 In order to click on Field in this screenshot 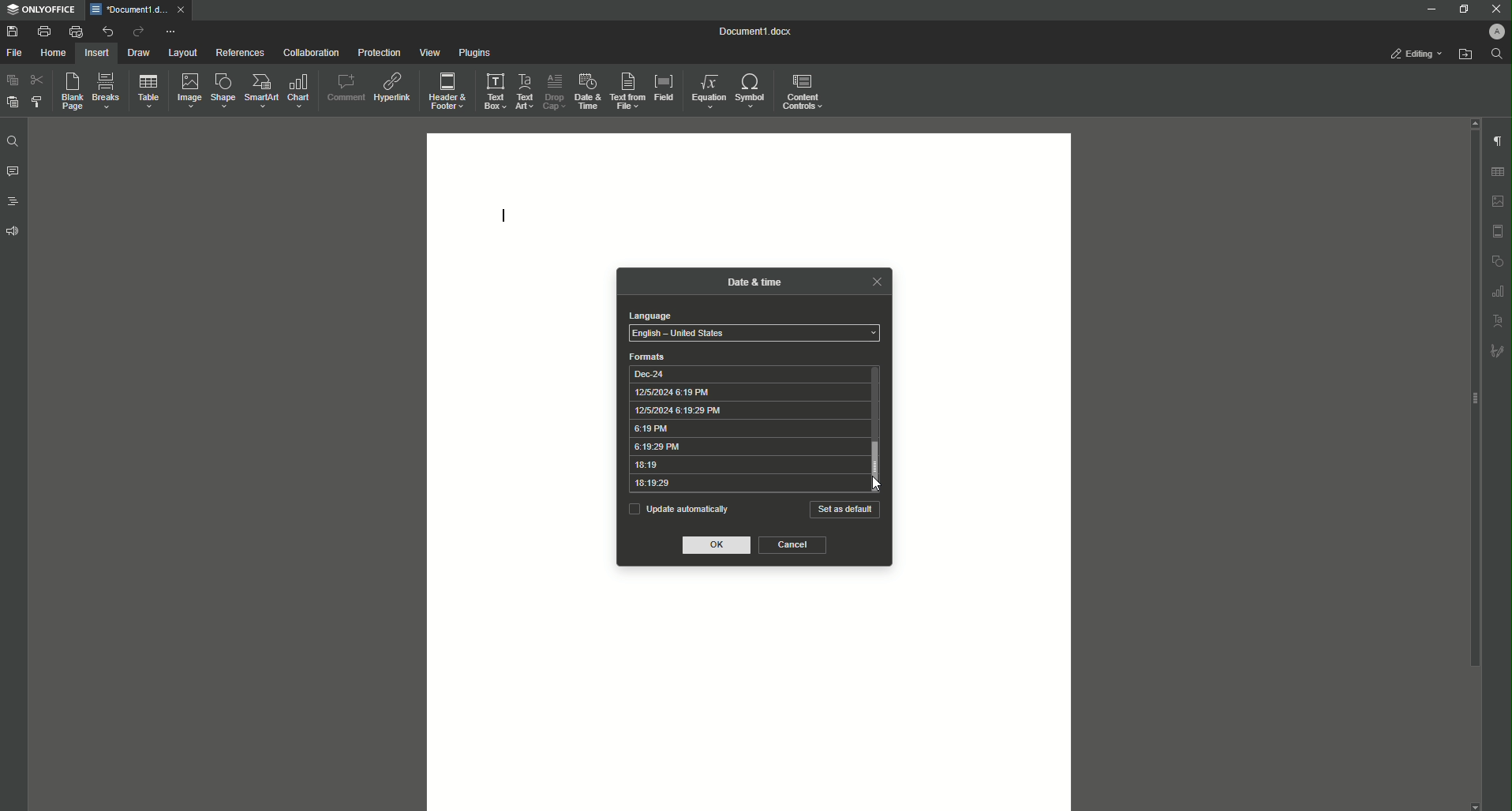, I will do `click(664, 88)`.